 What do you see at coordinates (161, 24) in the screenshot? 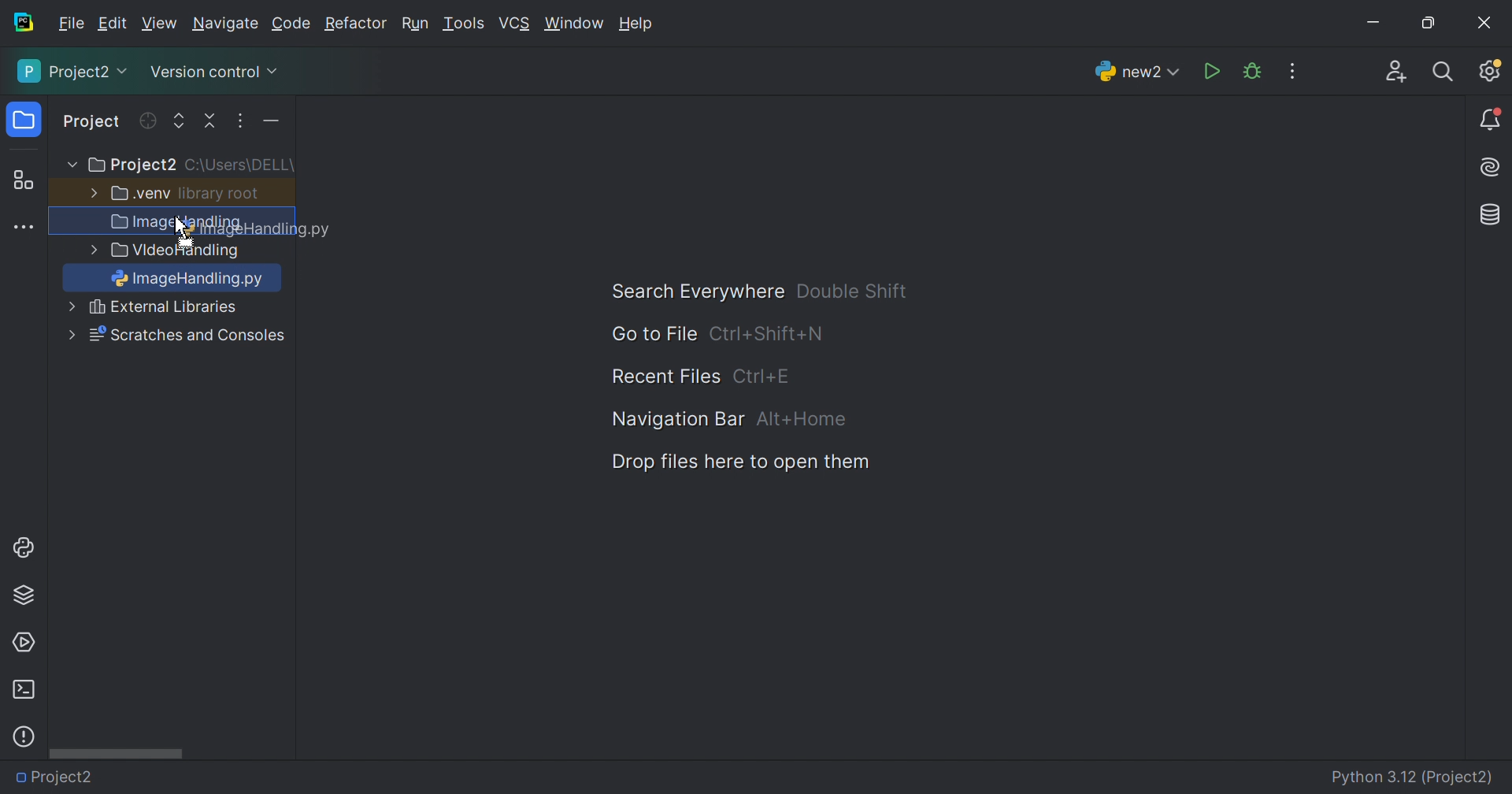
I see `View` at bounding box center [161, 24].